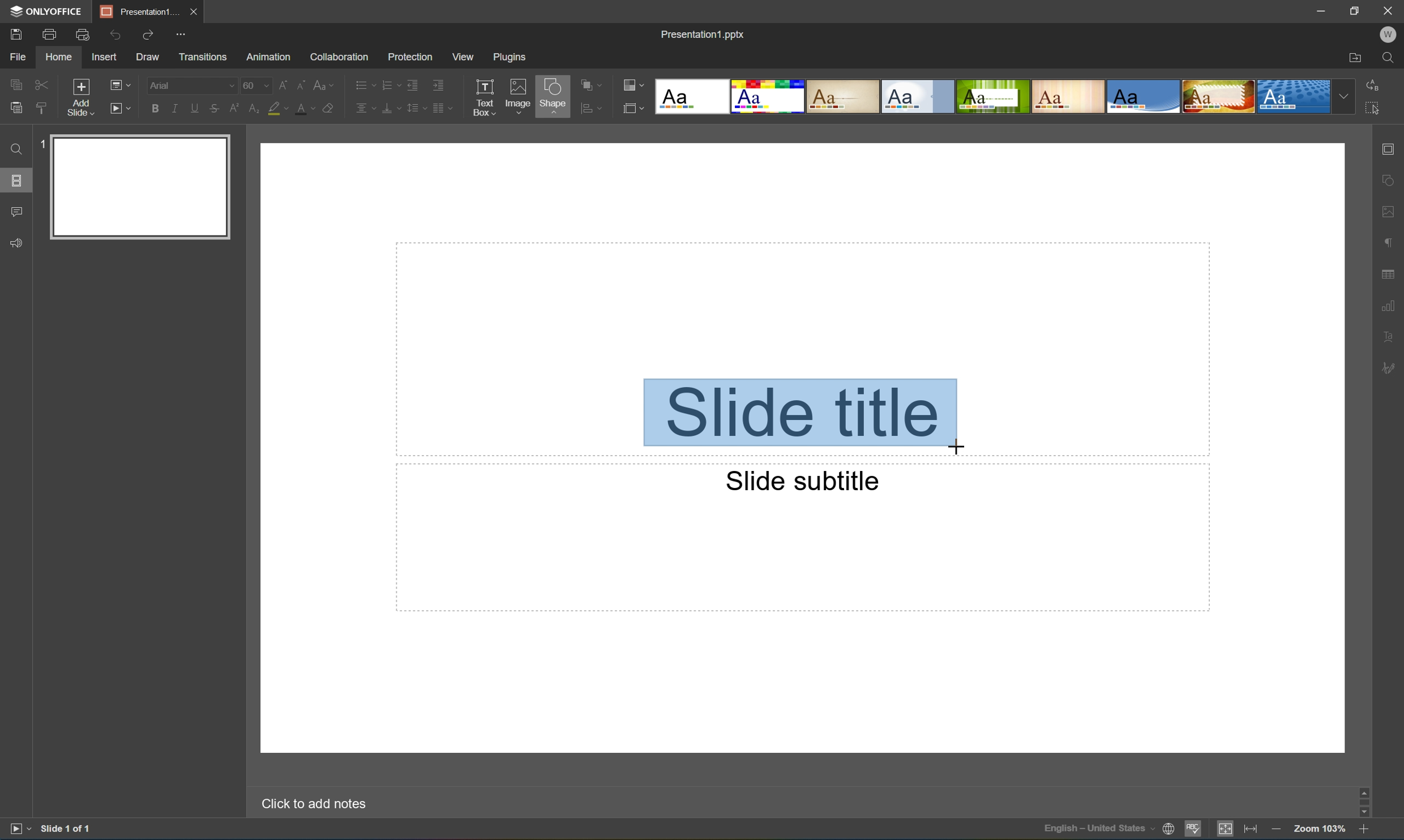  I want to click on Text box, so click(485, 97).